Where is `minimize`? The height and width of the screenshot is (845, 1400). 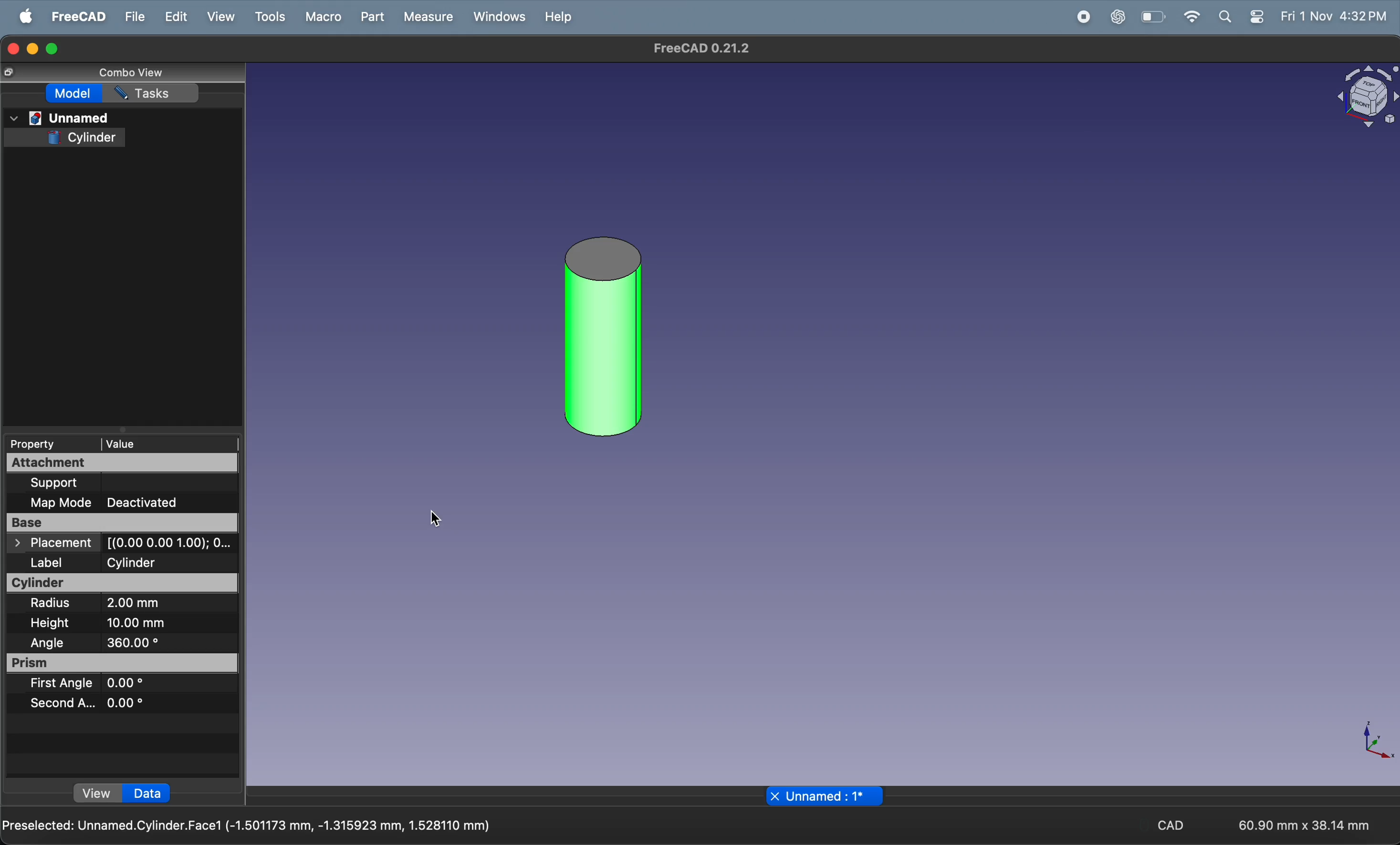
minimize is located at coordinates (34, 49).